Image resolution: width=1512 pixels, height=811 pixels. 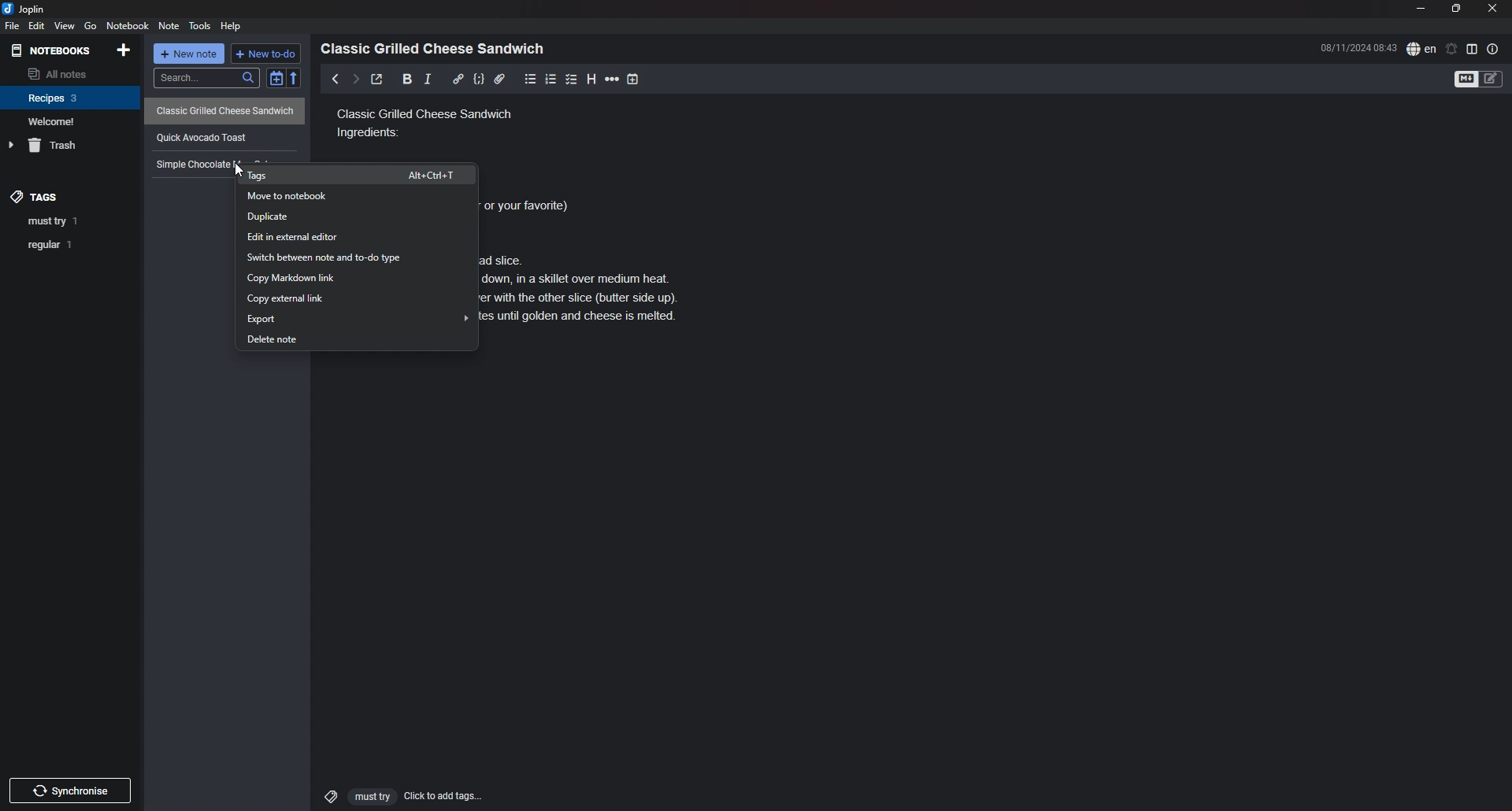 What do you see at coordinates (232, 25) in the screenshot?
I see `Help` at bounding box center [232, 25].